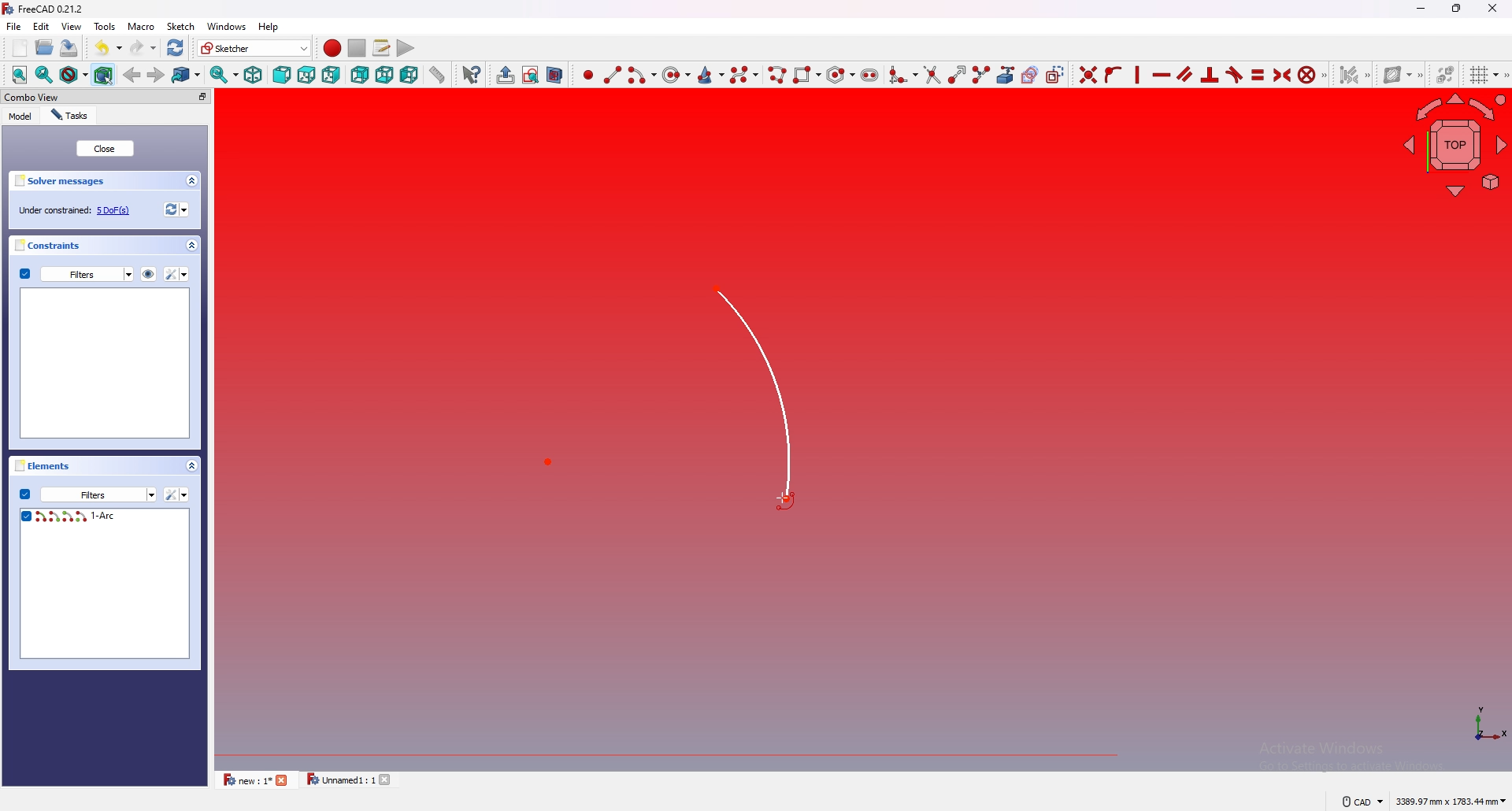  I want to click on create external geometry, so click(1006, 75).